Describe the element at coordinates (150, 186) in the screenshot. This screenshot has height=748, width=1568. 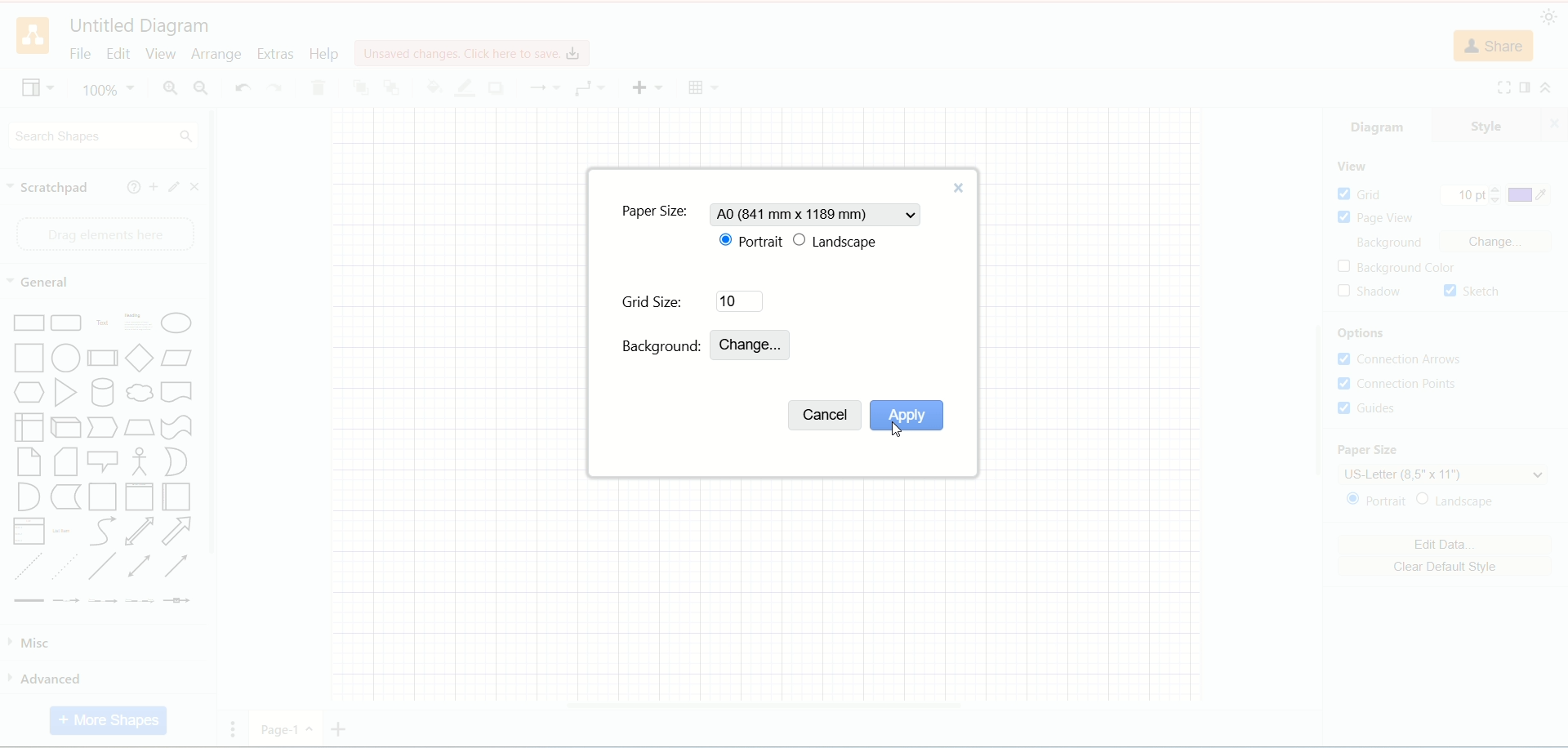
I see `add` at that location.